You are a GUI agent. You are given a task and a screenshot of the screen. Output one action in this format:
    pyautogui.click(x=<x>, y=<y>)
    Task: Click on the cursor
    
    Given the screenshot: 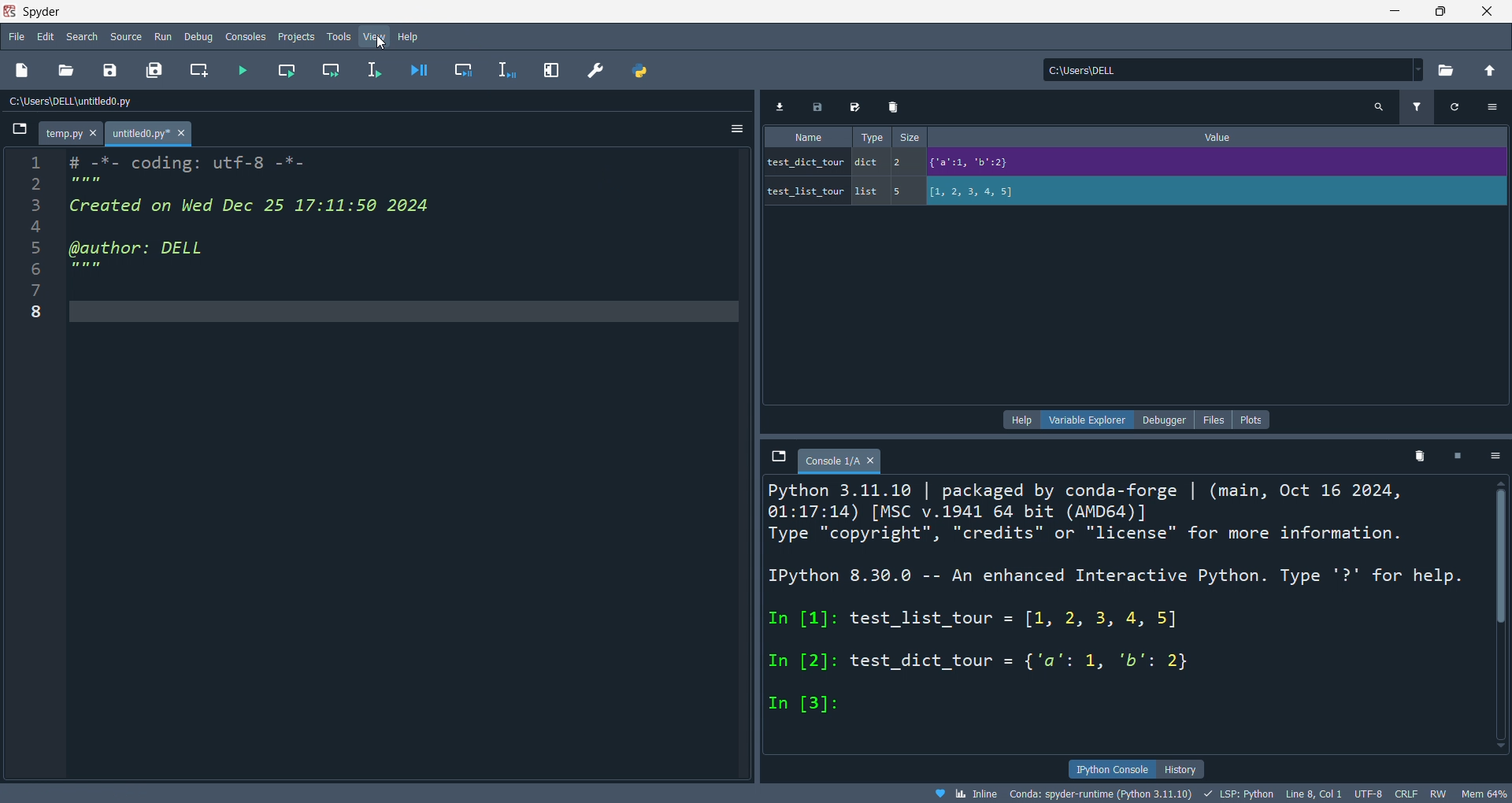 What is the action you would take?
    pyautogui.click(x=382, y=42)
    